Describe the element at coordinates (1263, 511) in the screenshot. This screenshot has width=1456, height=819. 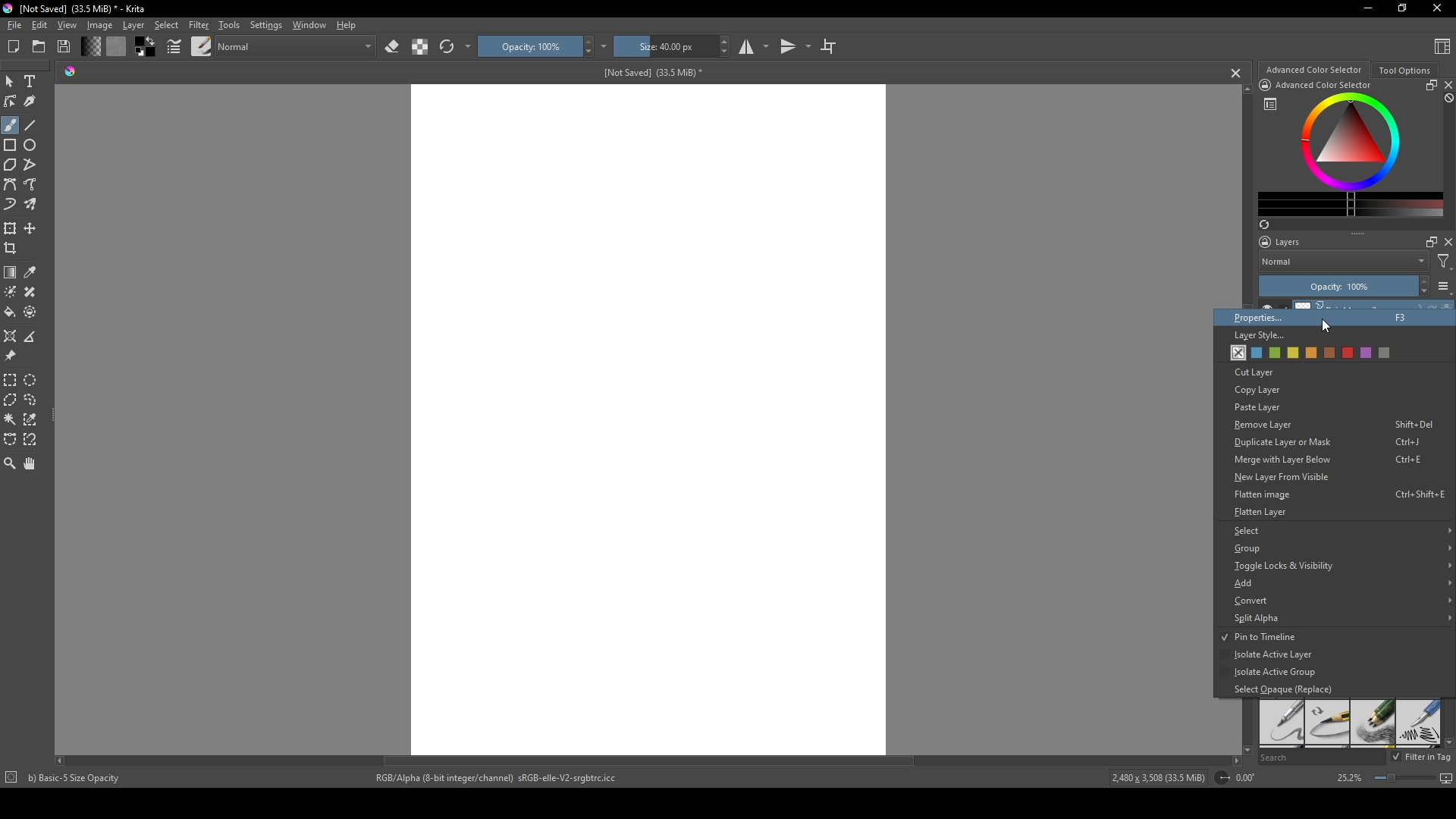
I see `Flatten Layer` at that location.